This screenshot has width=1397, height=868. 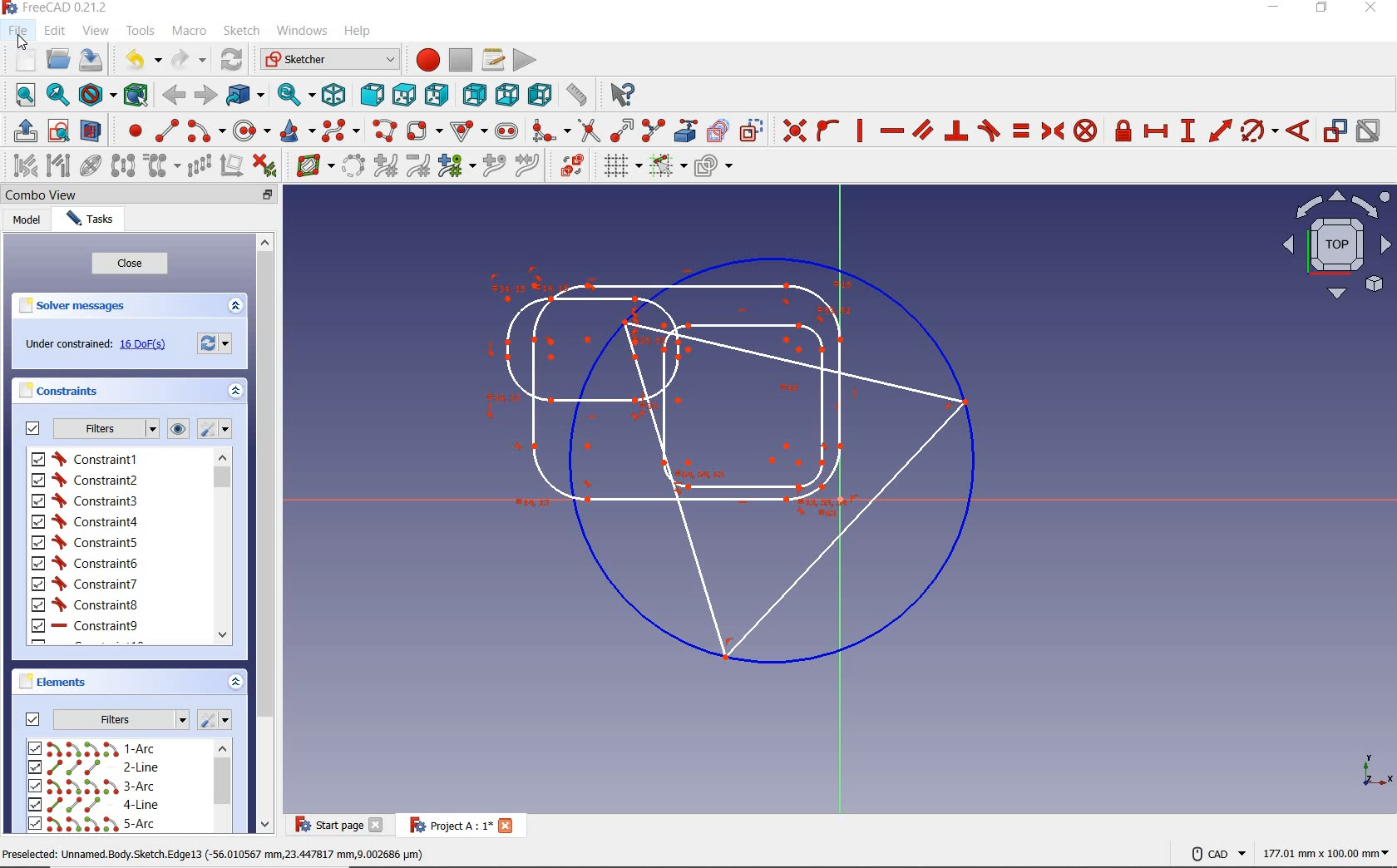 I want to click on symmetry, so click(x=121, y=167).